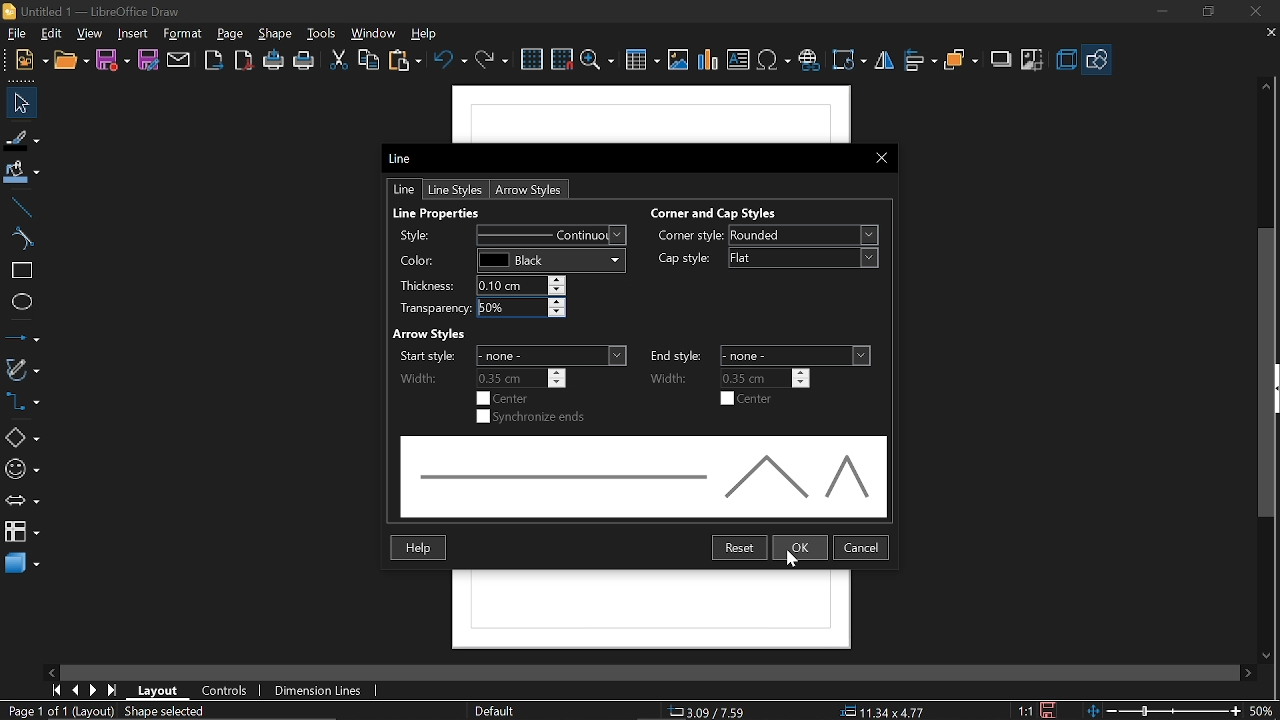  Describe the element at coordinates (738, 548) in the screenshot. I see `reset` at that location.